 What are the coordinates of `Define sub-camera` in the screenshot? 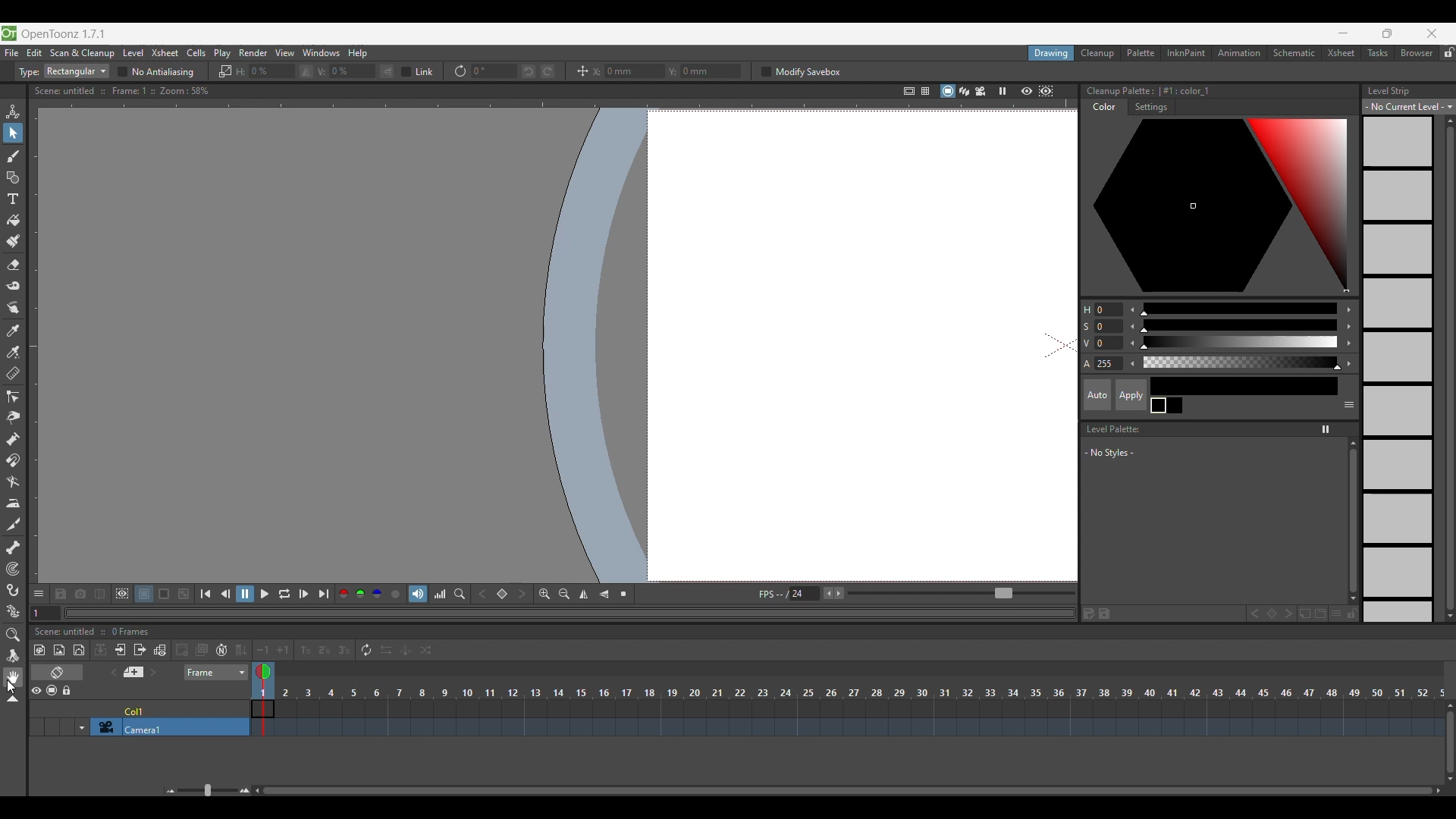 It's located at (122, 594).